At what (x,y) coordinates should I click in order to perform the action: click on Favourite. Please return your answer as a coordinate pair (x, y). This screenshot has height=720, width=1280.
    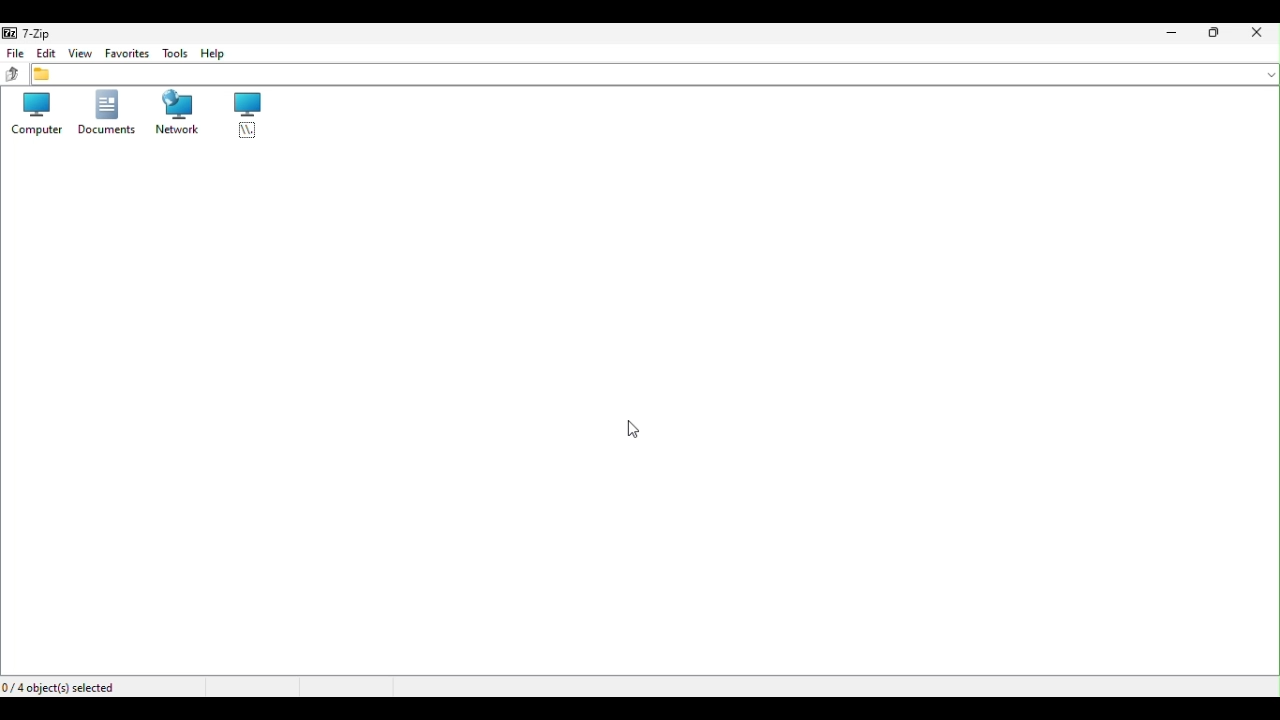
    Looking at the image, I should click on (126, 53).